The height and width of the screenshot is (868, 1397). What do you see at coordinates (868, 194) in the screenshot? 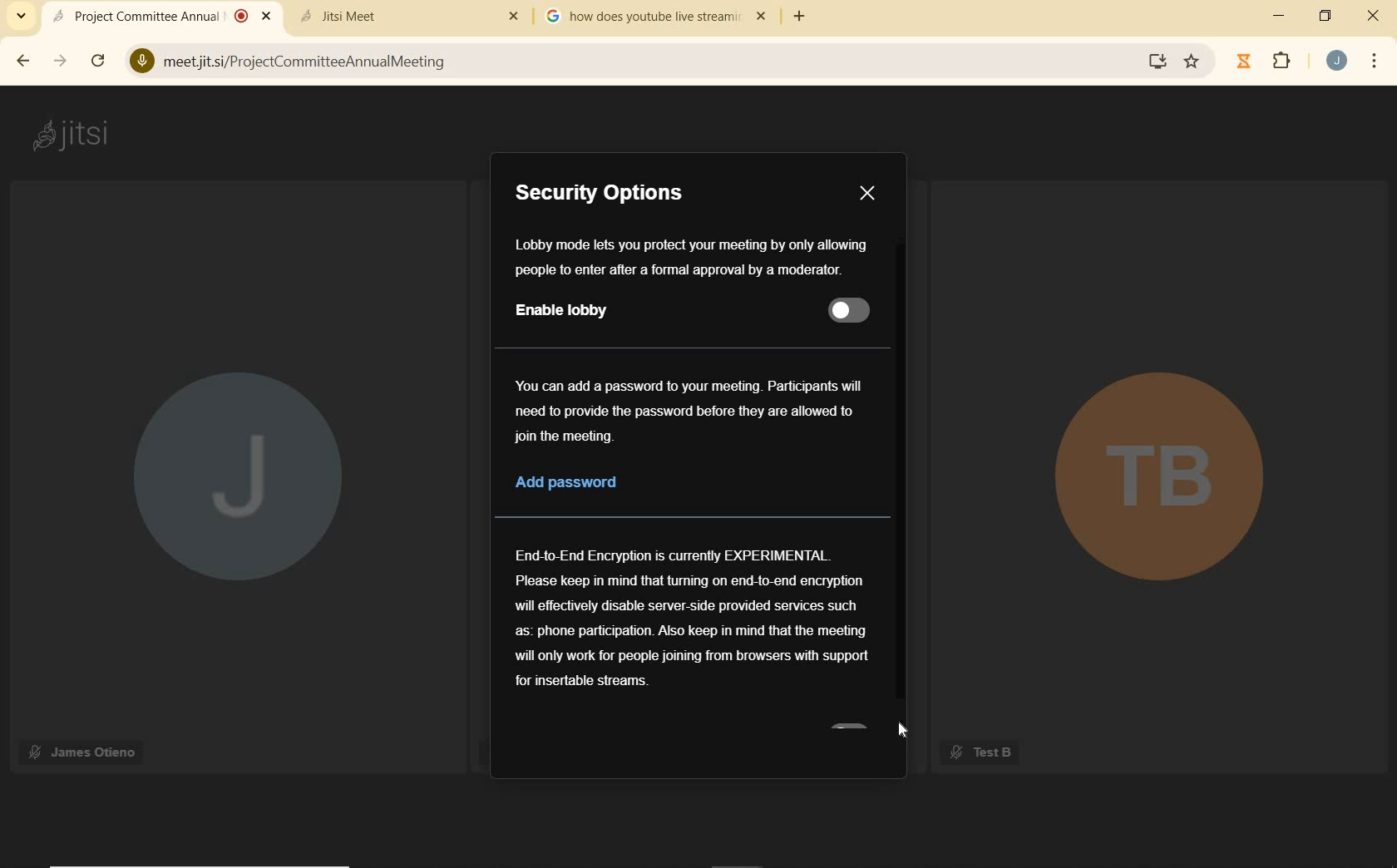
I see `CLOSE` at bounding box center [868, 194].